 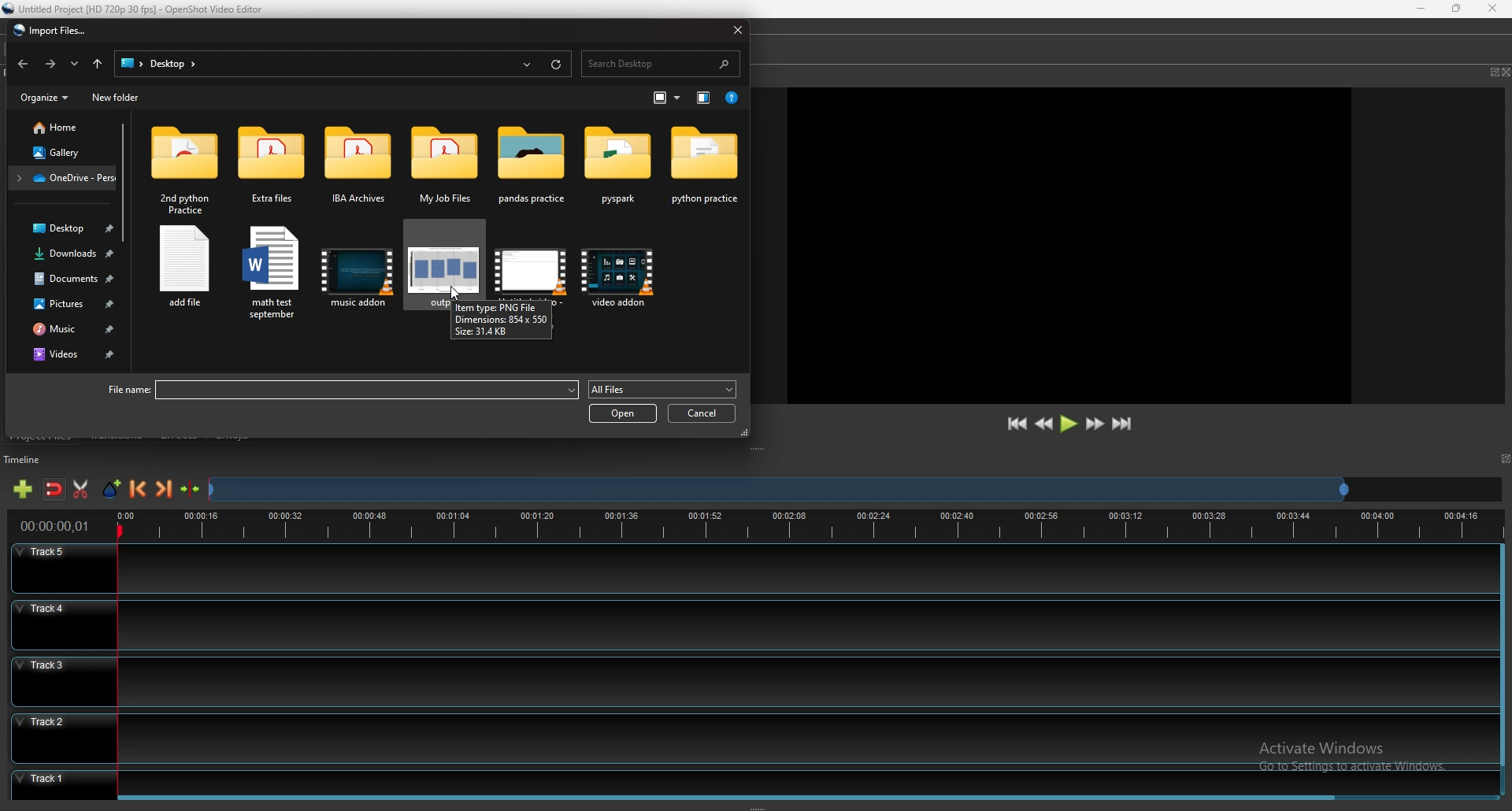 I want to click on desktop, so click(x=154, y=63).